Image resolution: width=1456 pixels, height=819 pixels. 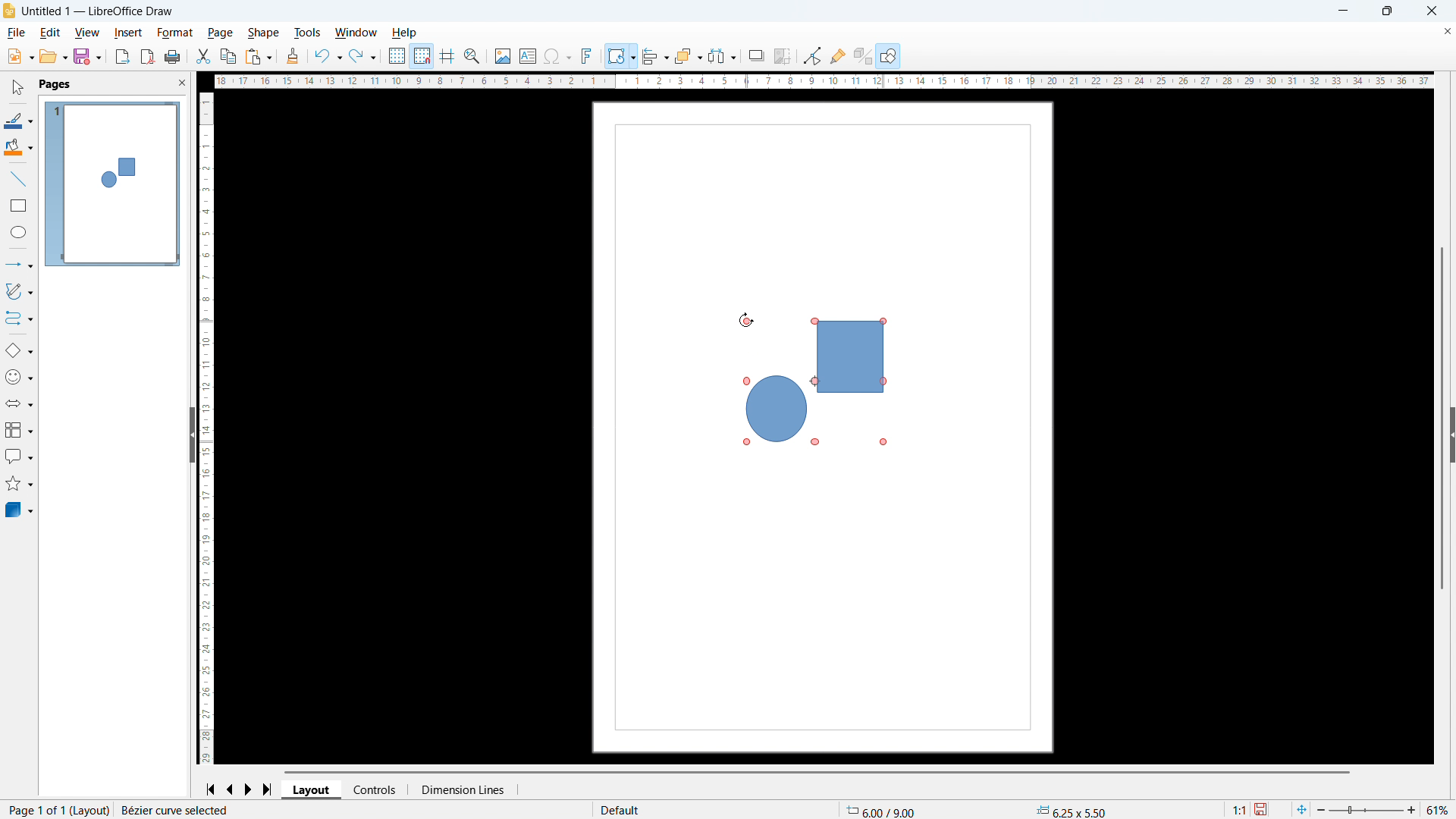 What do you see at coordinates (58, 810) in the screenshot?
I see `Page number ` at bounding box center [58, 810].